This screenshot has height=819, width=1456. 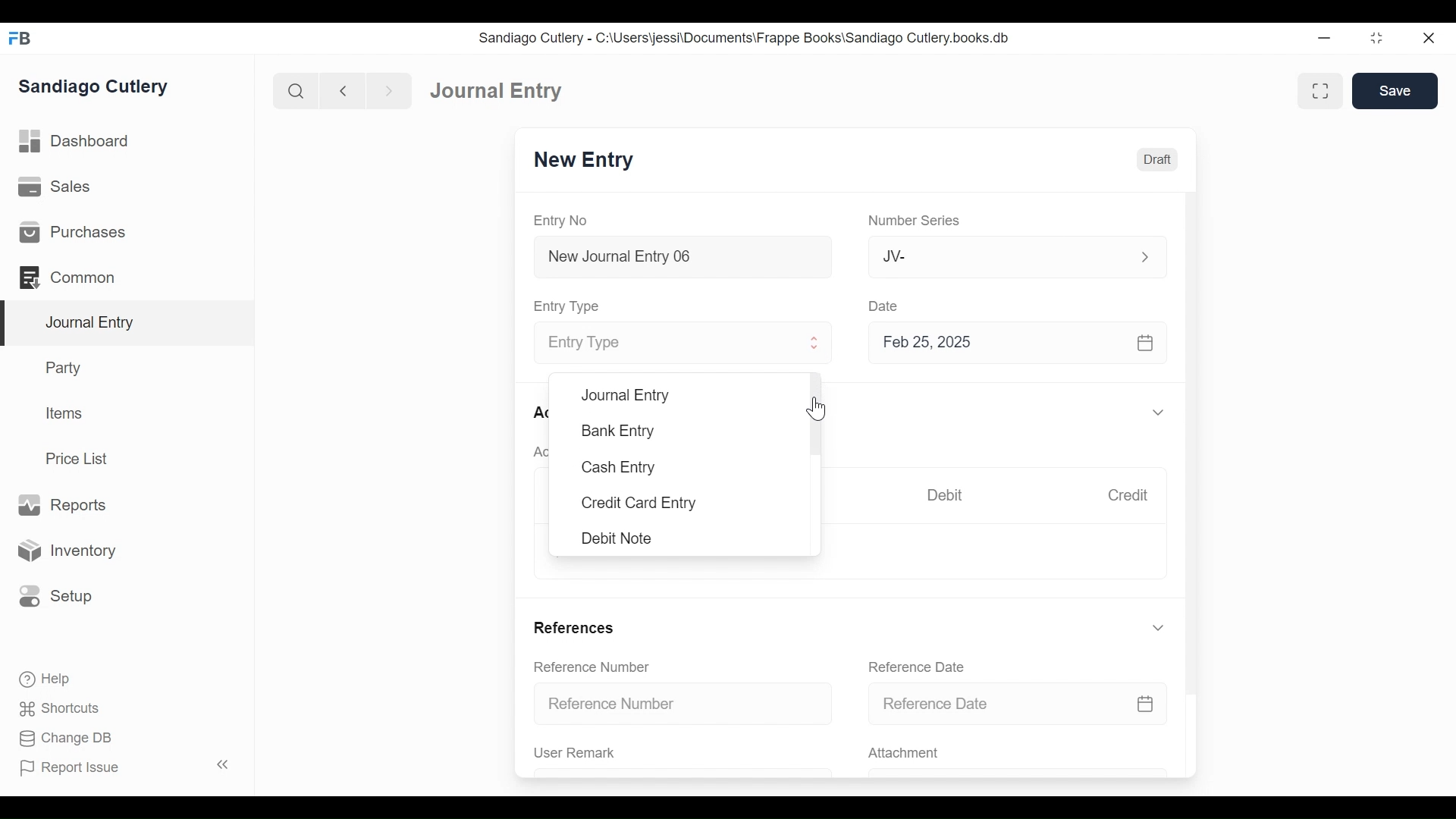 What do you see at coordinates (569, 306) in the screenshot?
I see `Entry Type` at bounding box center [569, 306].